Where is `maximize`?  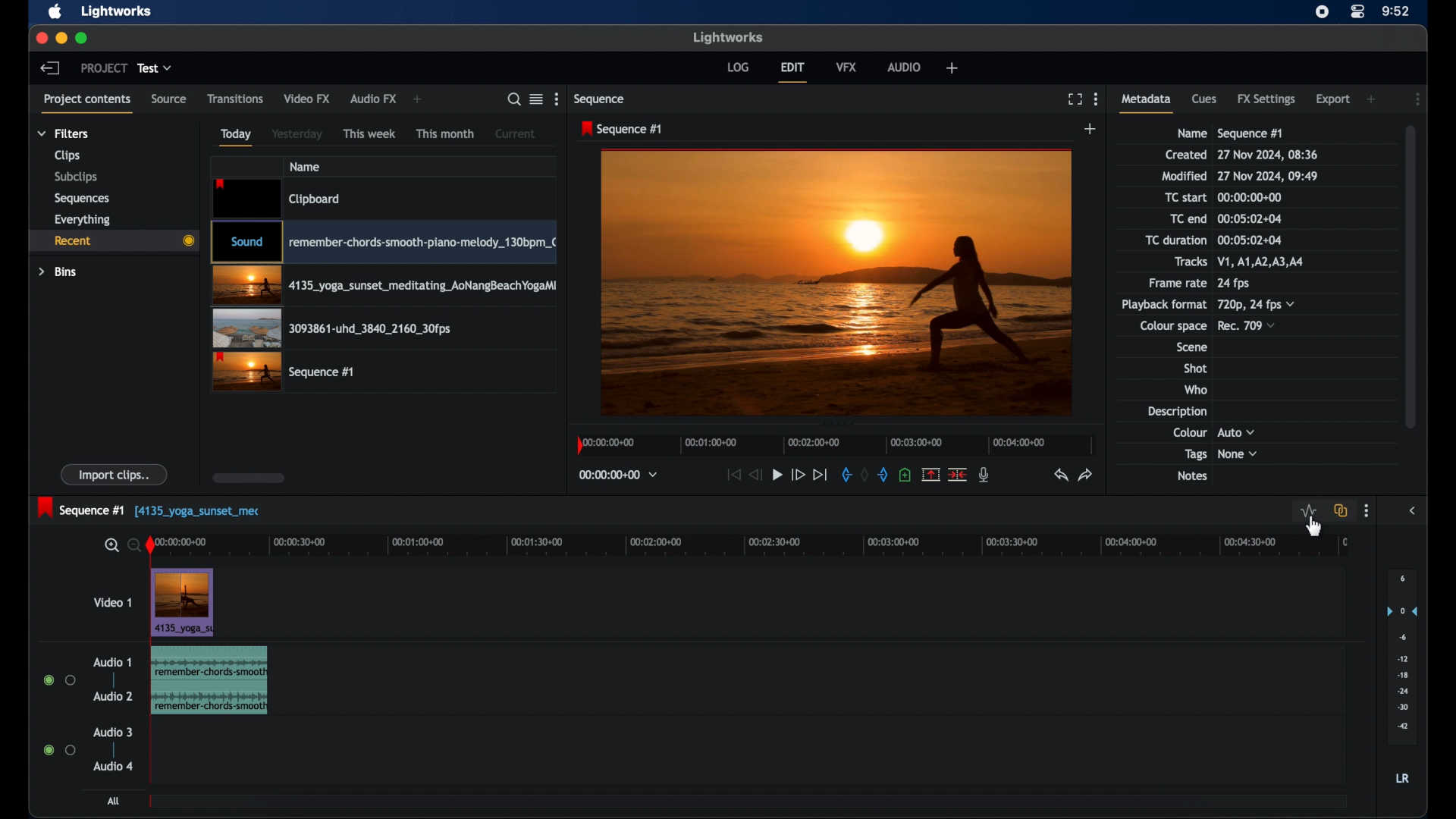
maximize is located at coordinates (83, 38).